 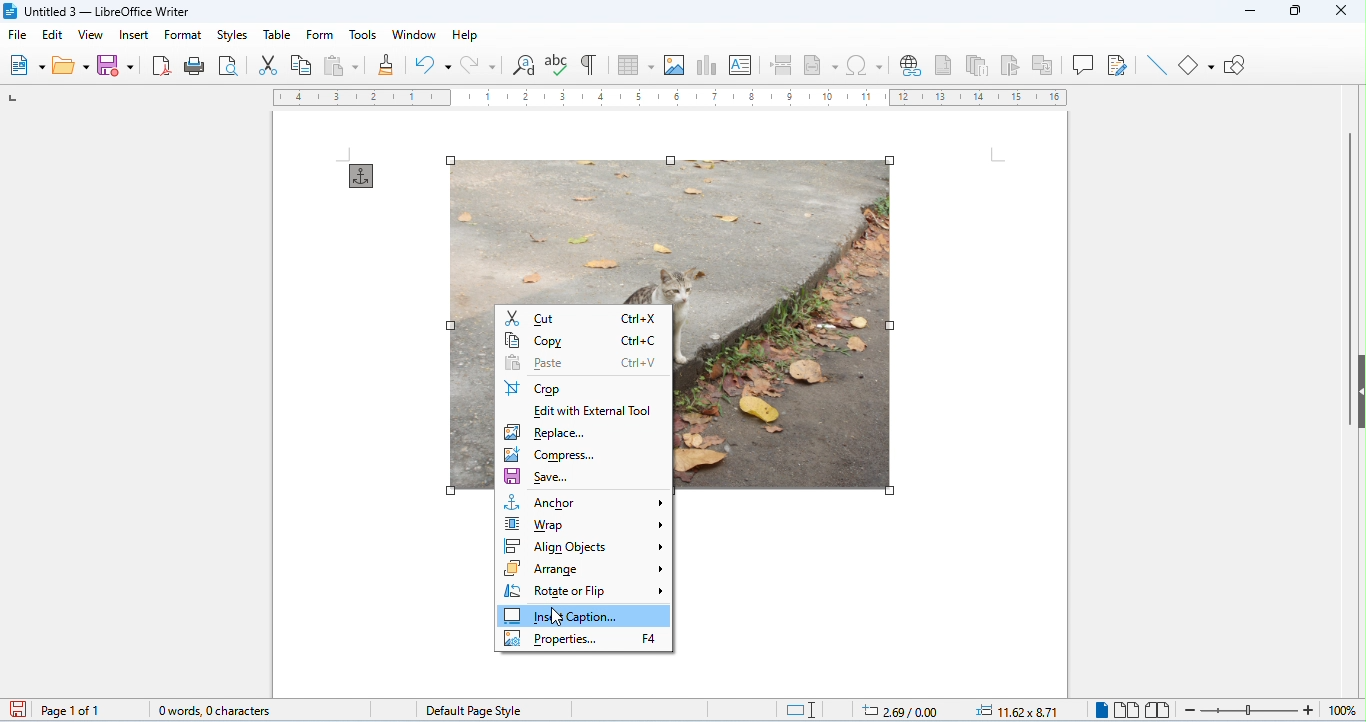 I want to click on print, so click(x=197, y=66).